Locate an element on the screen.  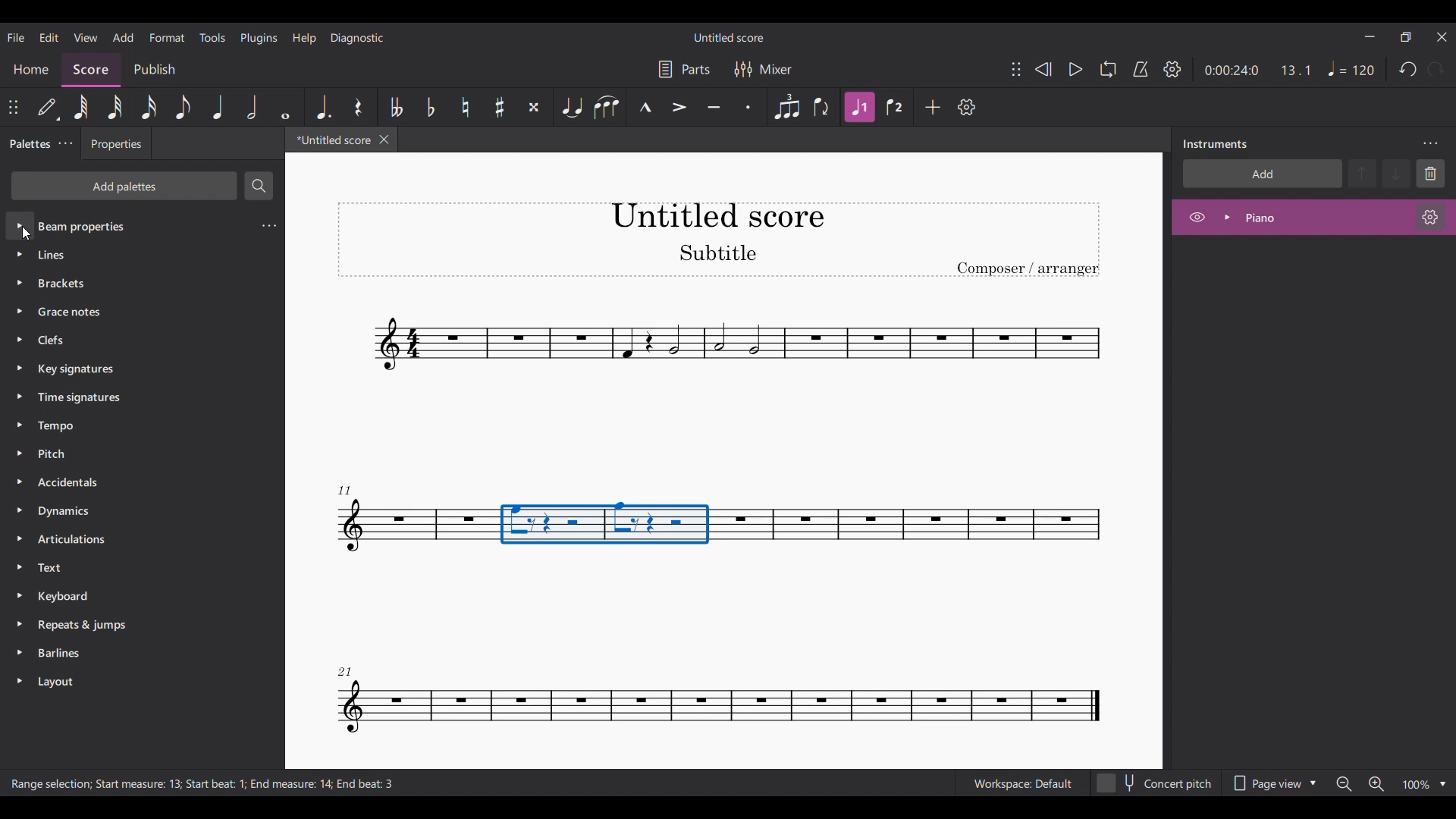
Tuplet is located at coordinates (787, 107).